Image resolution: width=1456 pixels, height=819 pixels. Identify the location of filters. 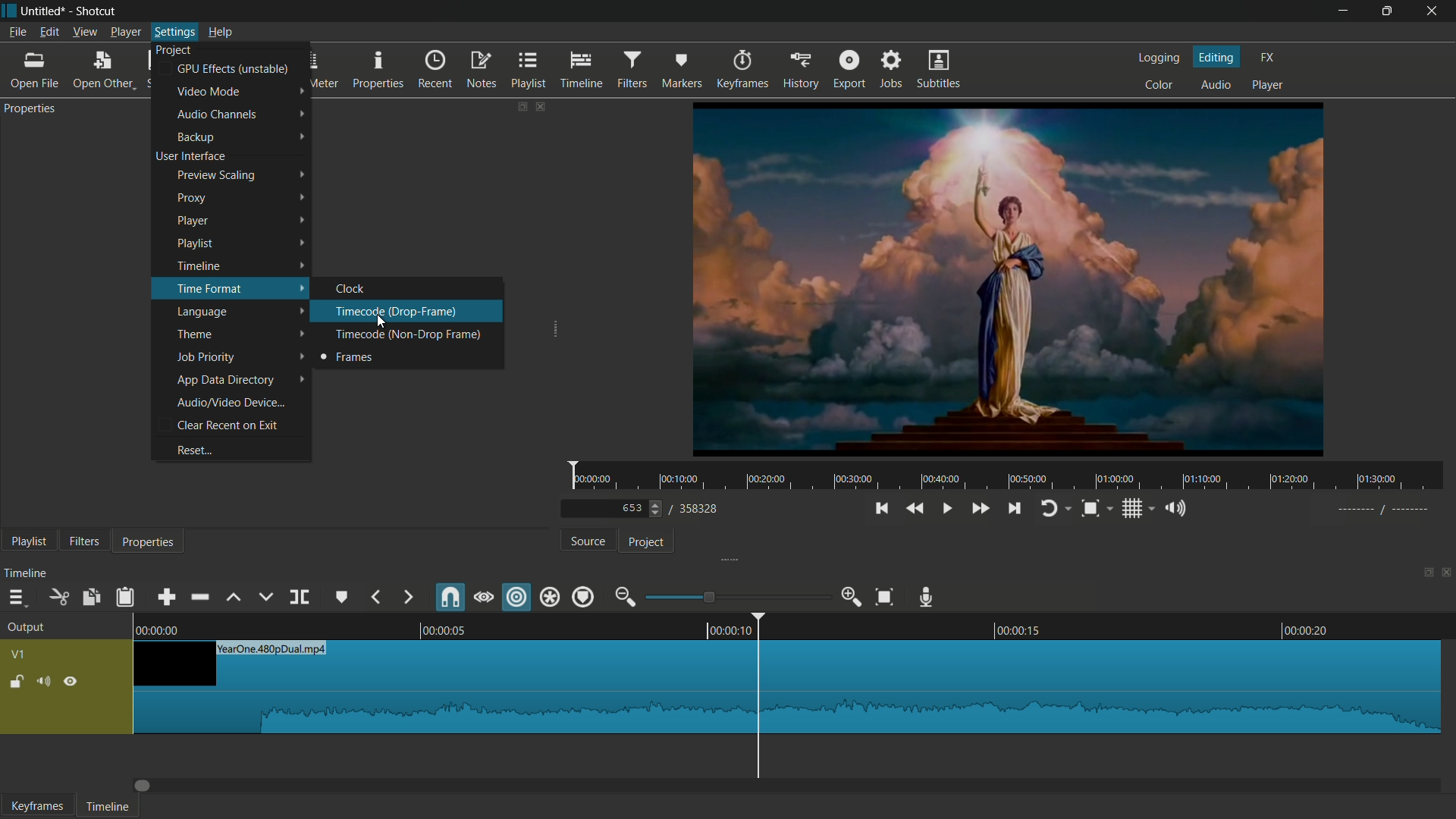
(629, 68).